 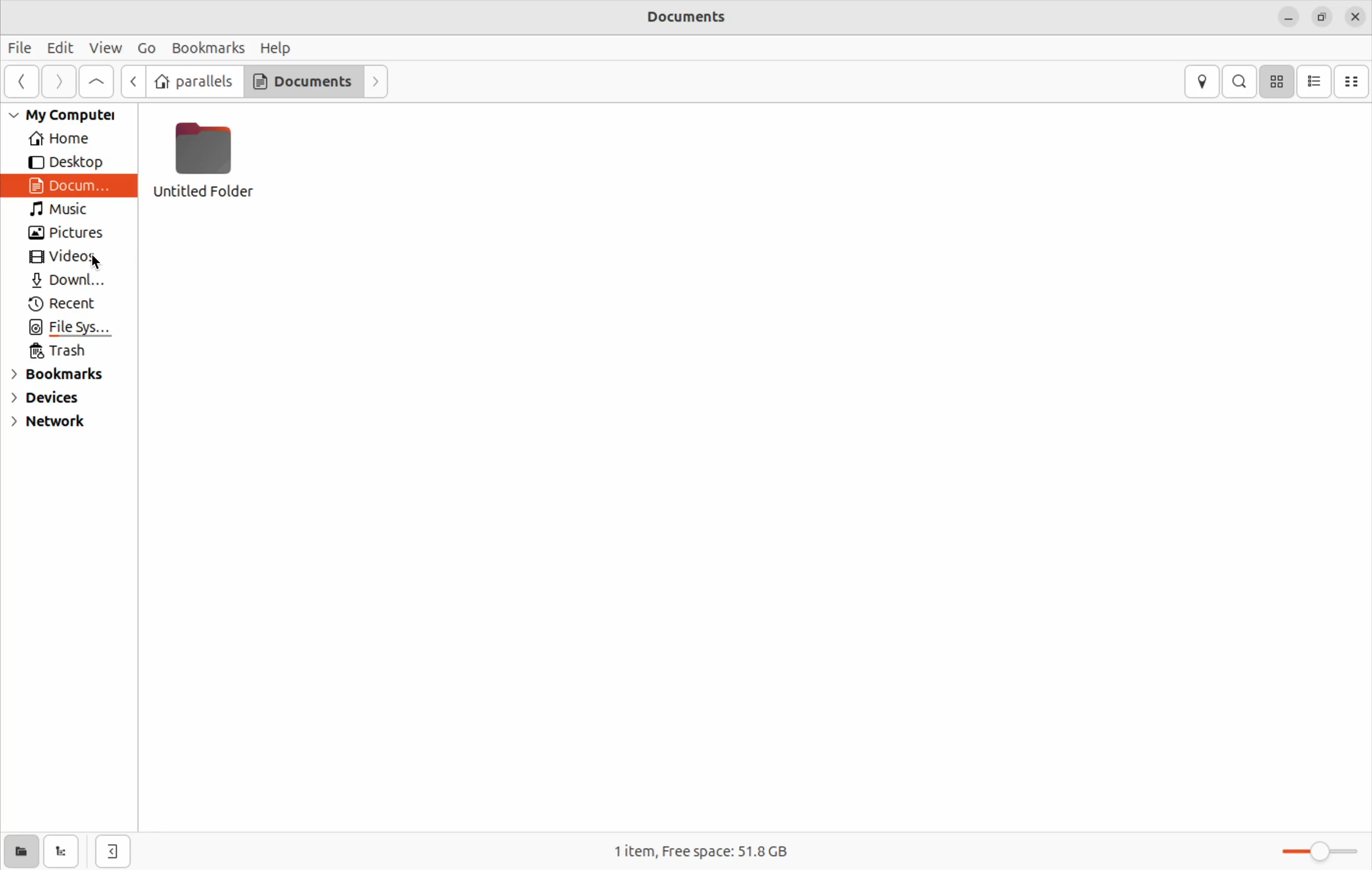 I want to click on My Computer, so click(x=72, y=117).